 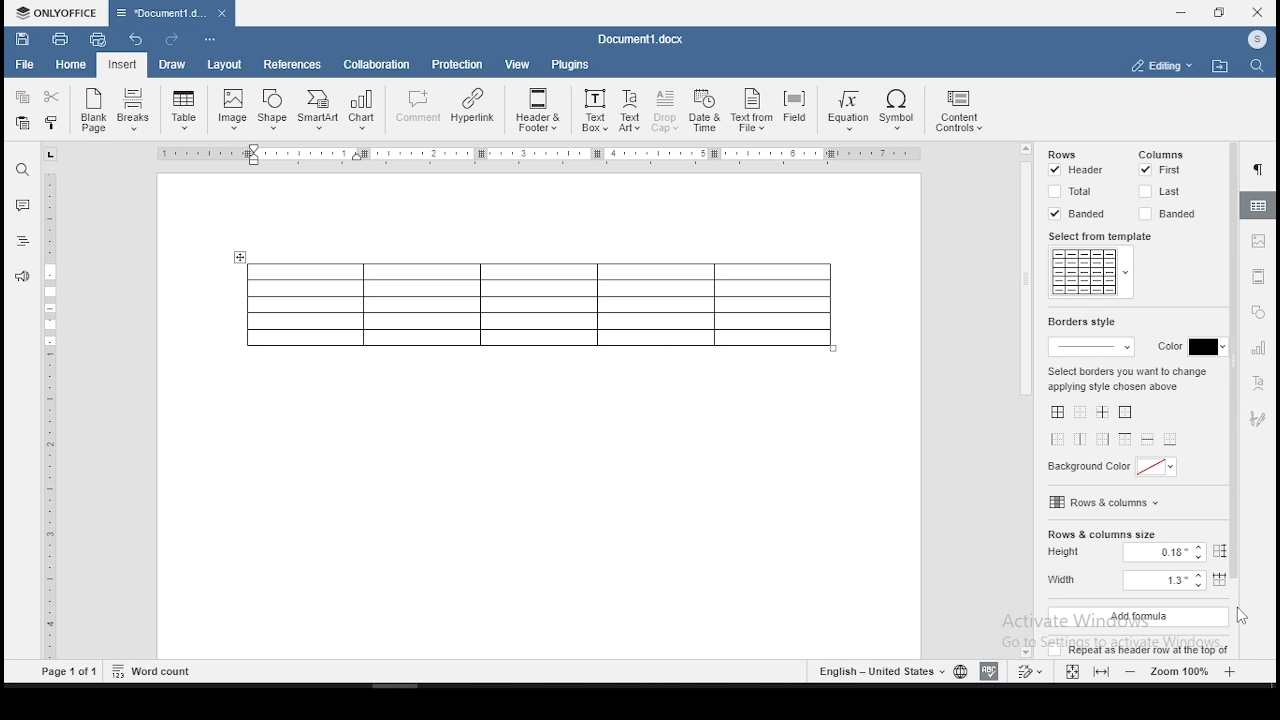 What do you see at coordinates (1257, 13) in the screenshot?
I see `close window` at bounding box center [1257, 13].